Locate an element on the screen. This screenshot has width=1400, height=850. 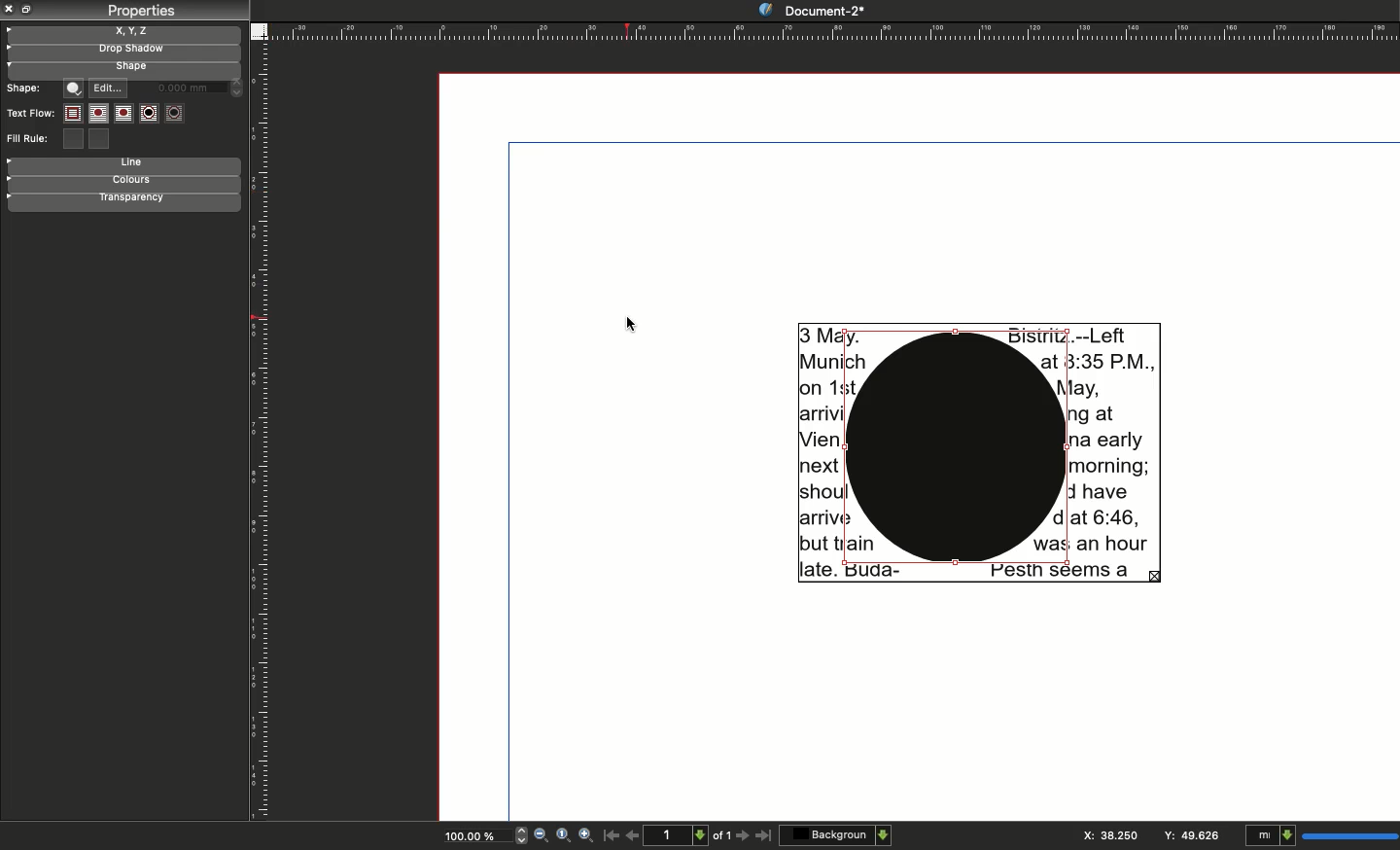
Cursor is located at coordinates (631, 324).